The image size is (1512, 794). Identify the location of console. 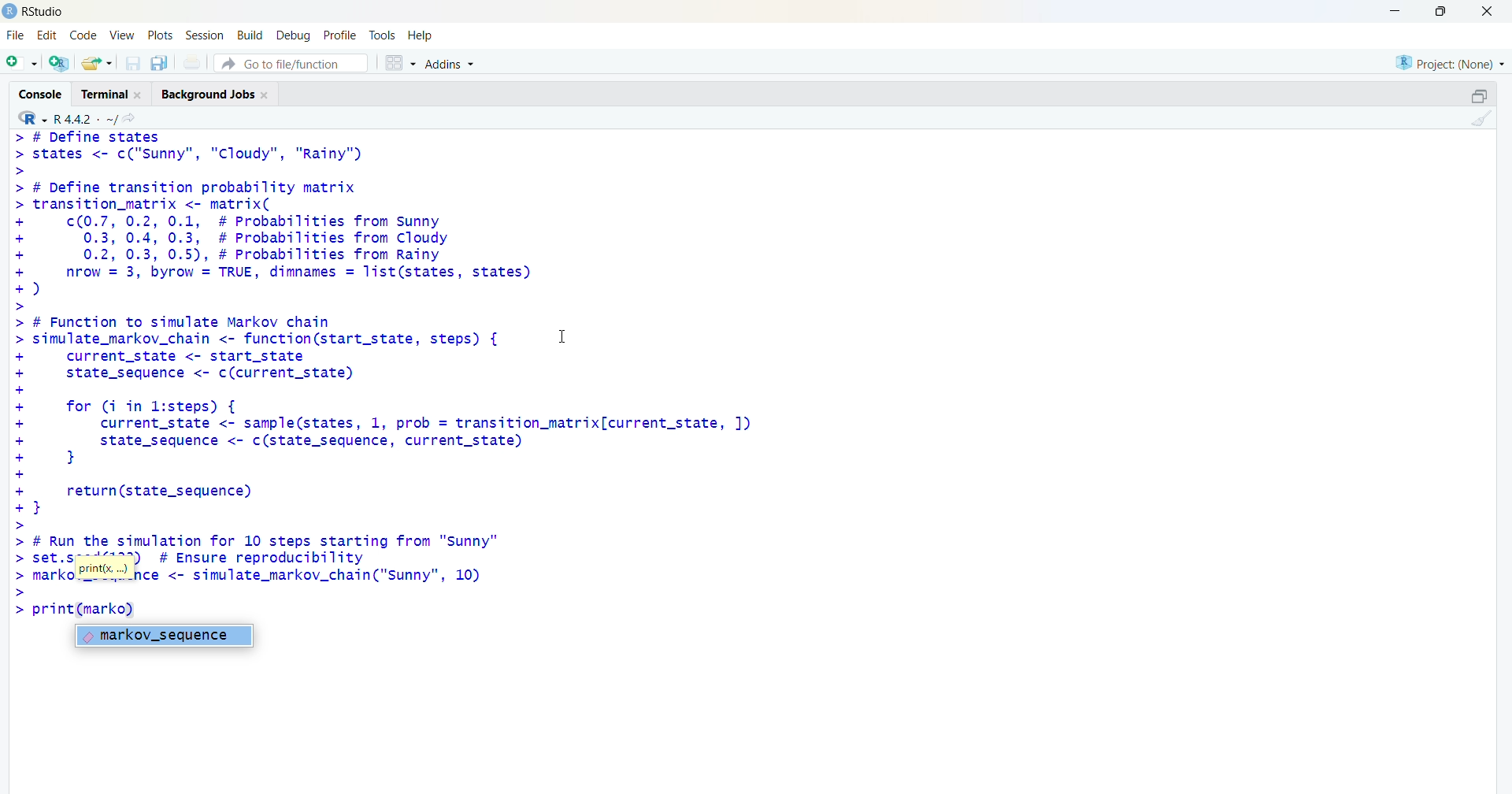
(39, 93).